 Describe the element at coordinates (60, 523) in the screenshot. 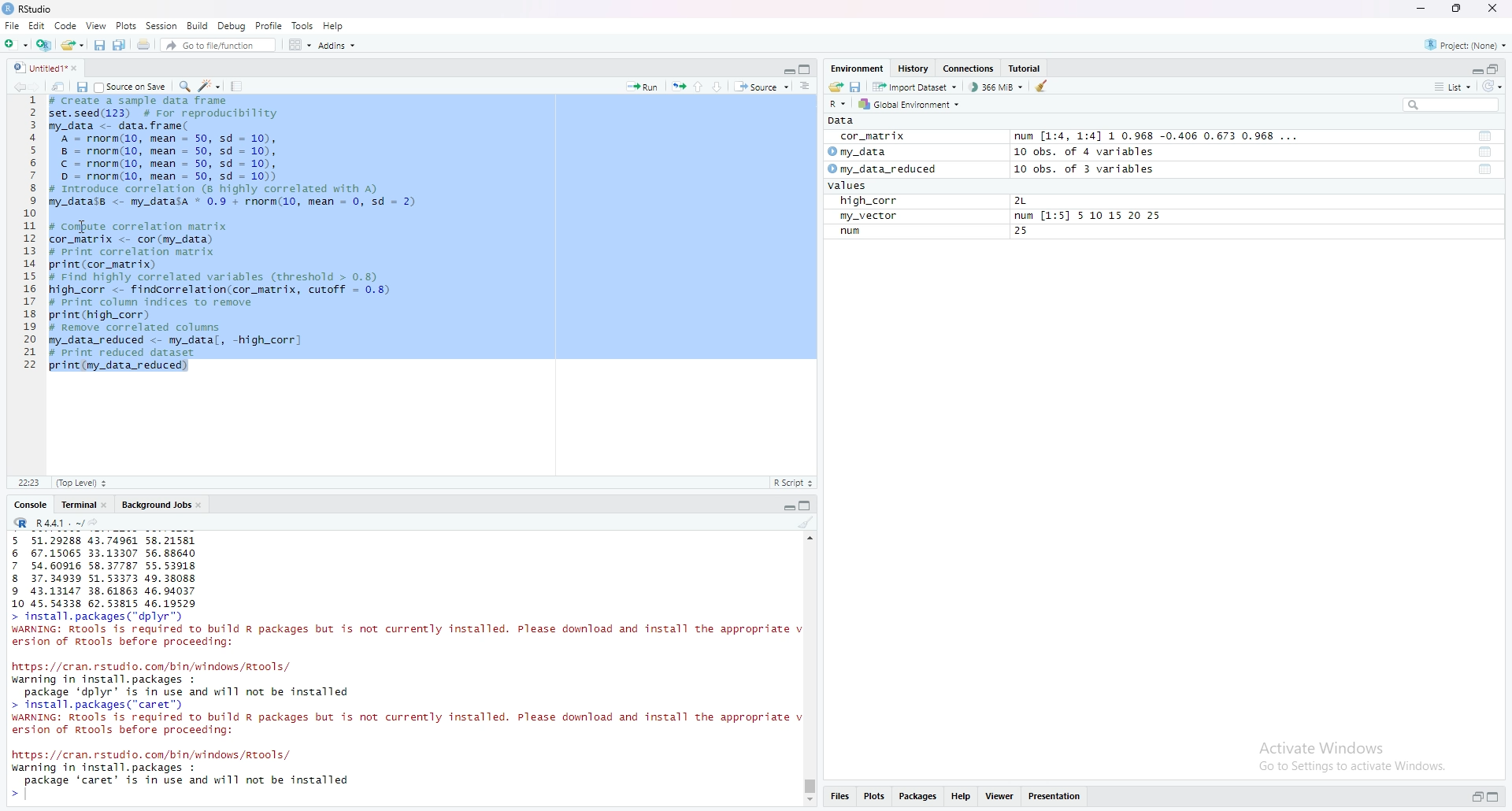

I see `R 4.4.1 ~/` at that location.